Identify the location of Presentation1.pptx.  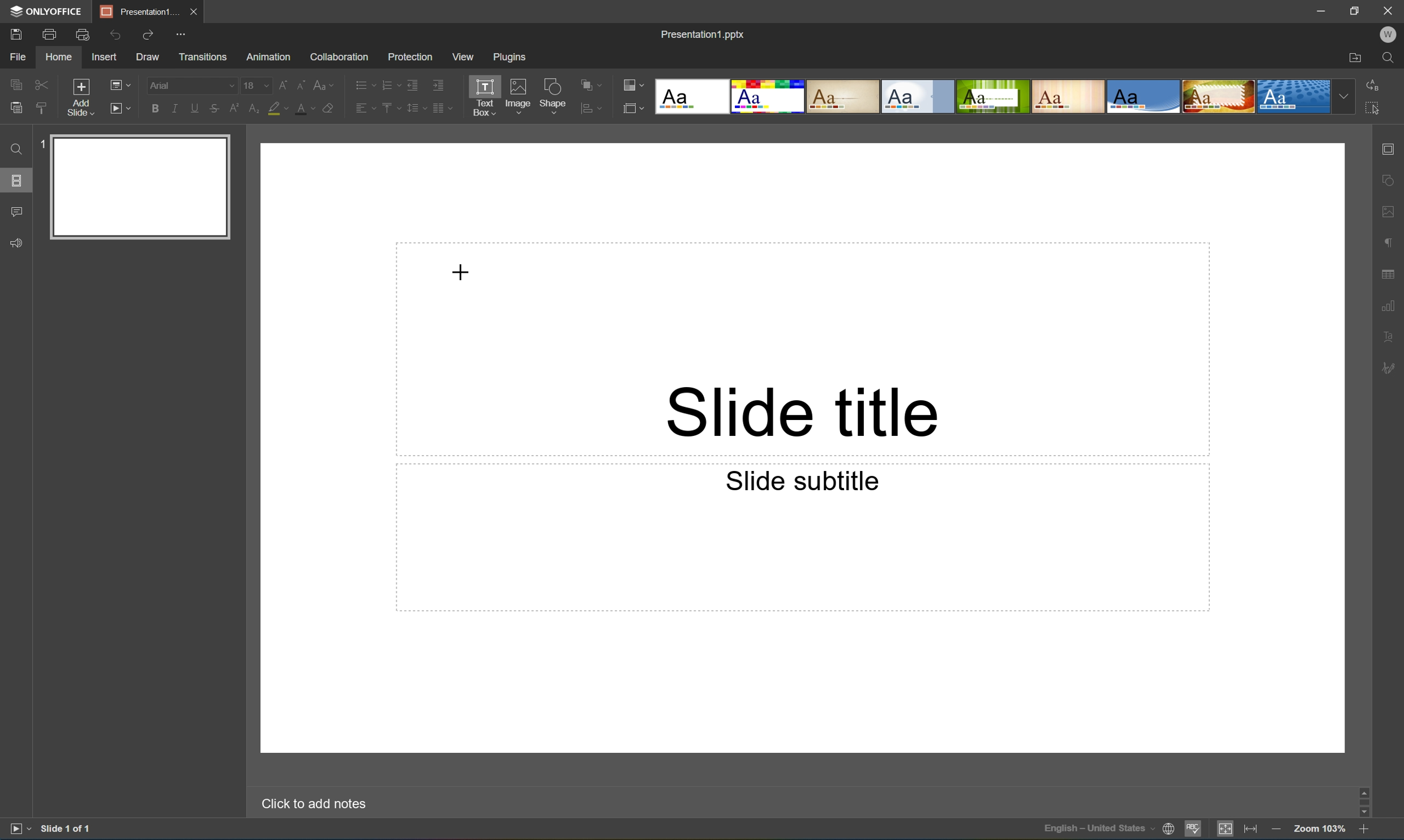
(701, 32).